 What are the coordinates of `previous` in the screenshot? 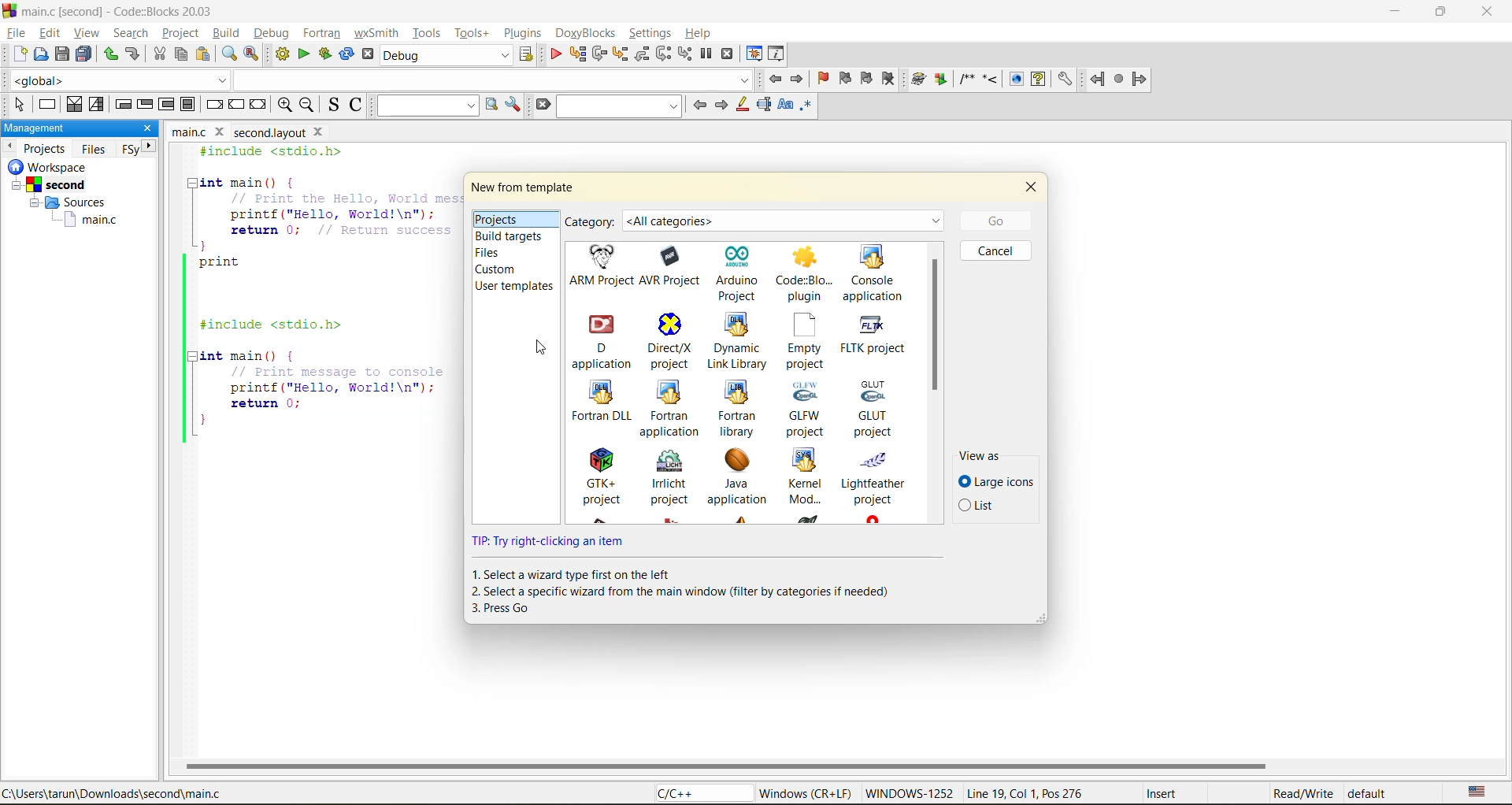 It's located at (9, 145).